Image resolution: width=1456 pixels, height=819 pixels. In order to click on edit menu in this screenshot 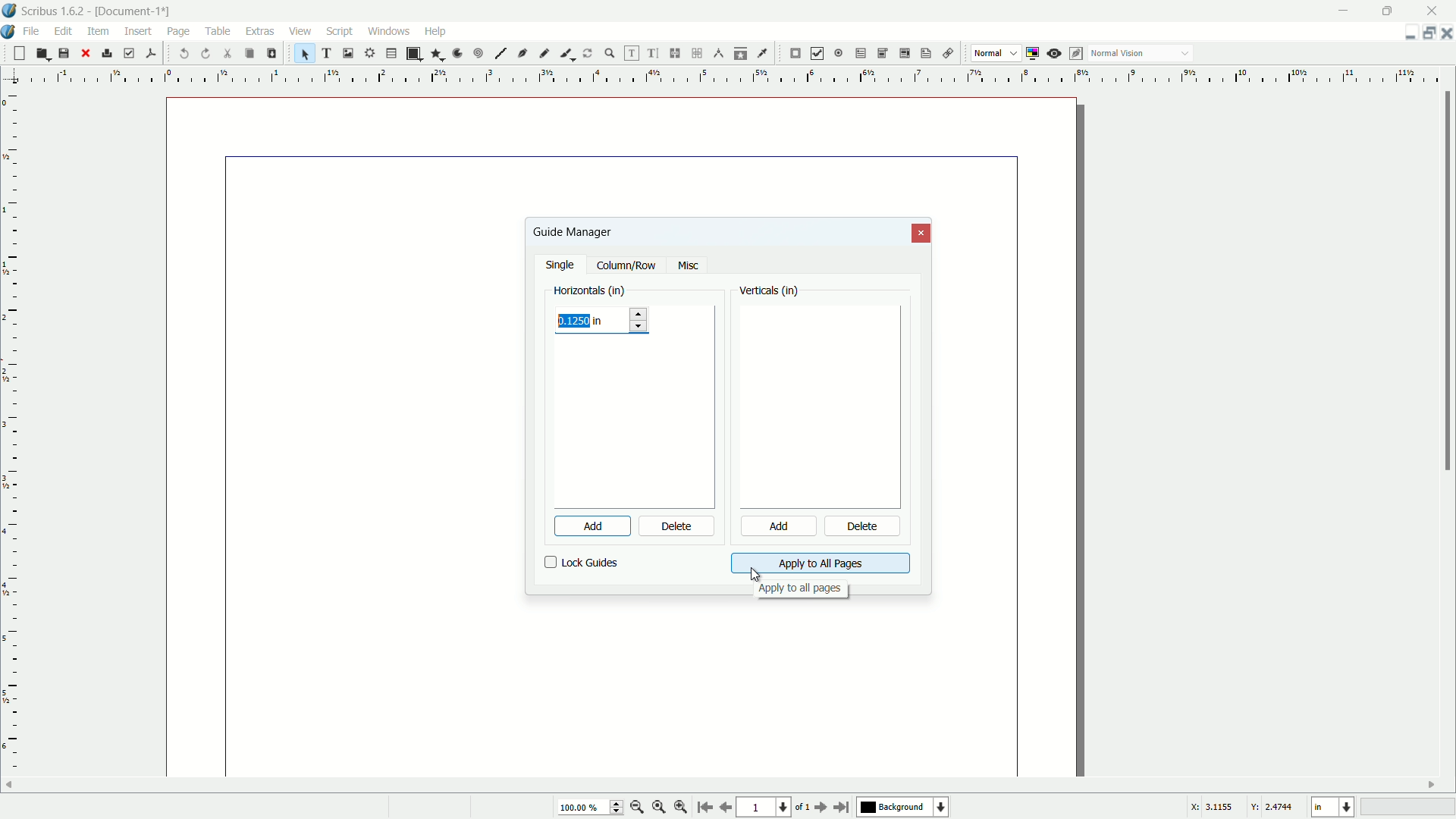, I will do `click(66, 30)`.